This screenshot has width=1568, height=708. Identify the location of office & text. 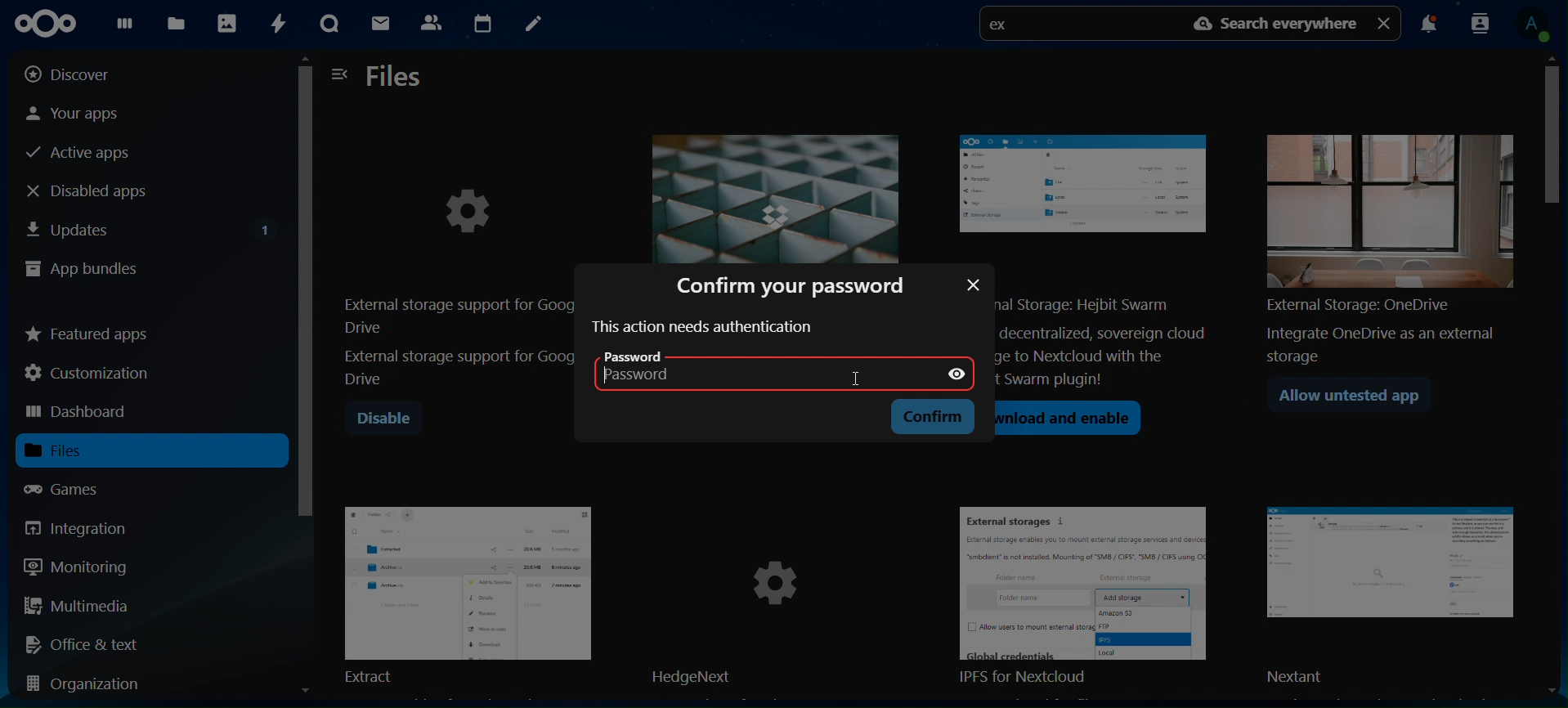
(87, 643).